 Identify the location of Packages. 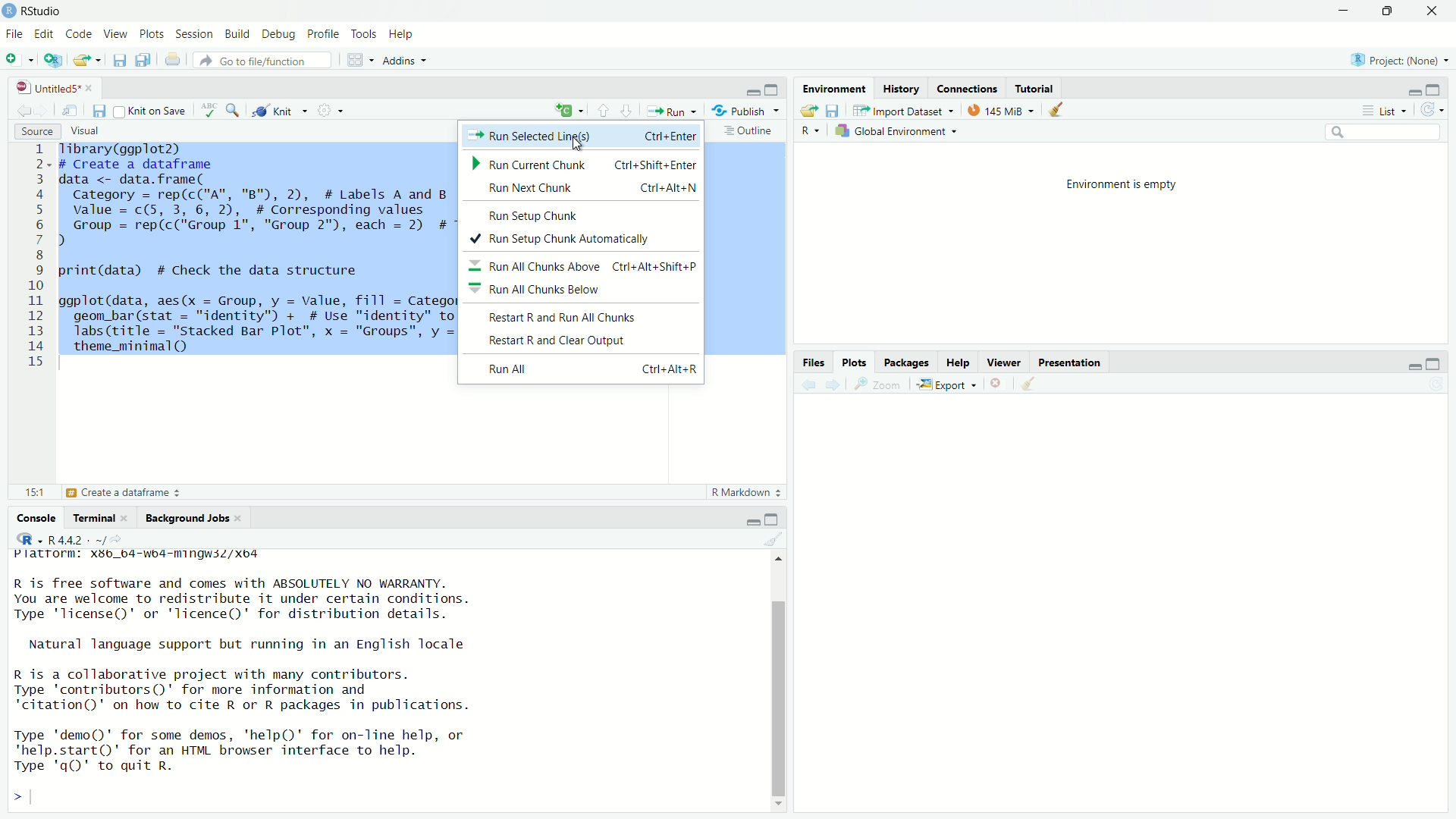
(904, 360).